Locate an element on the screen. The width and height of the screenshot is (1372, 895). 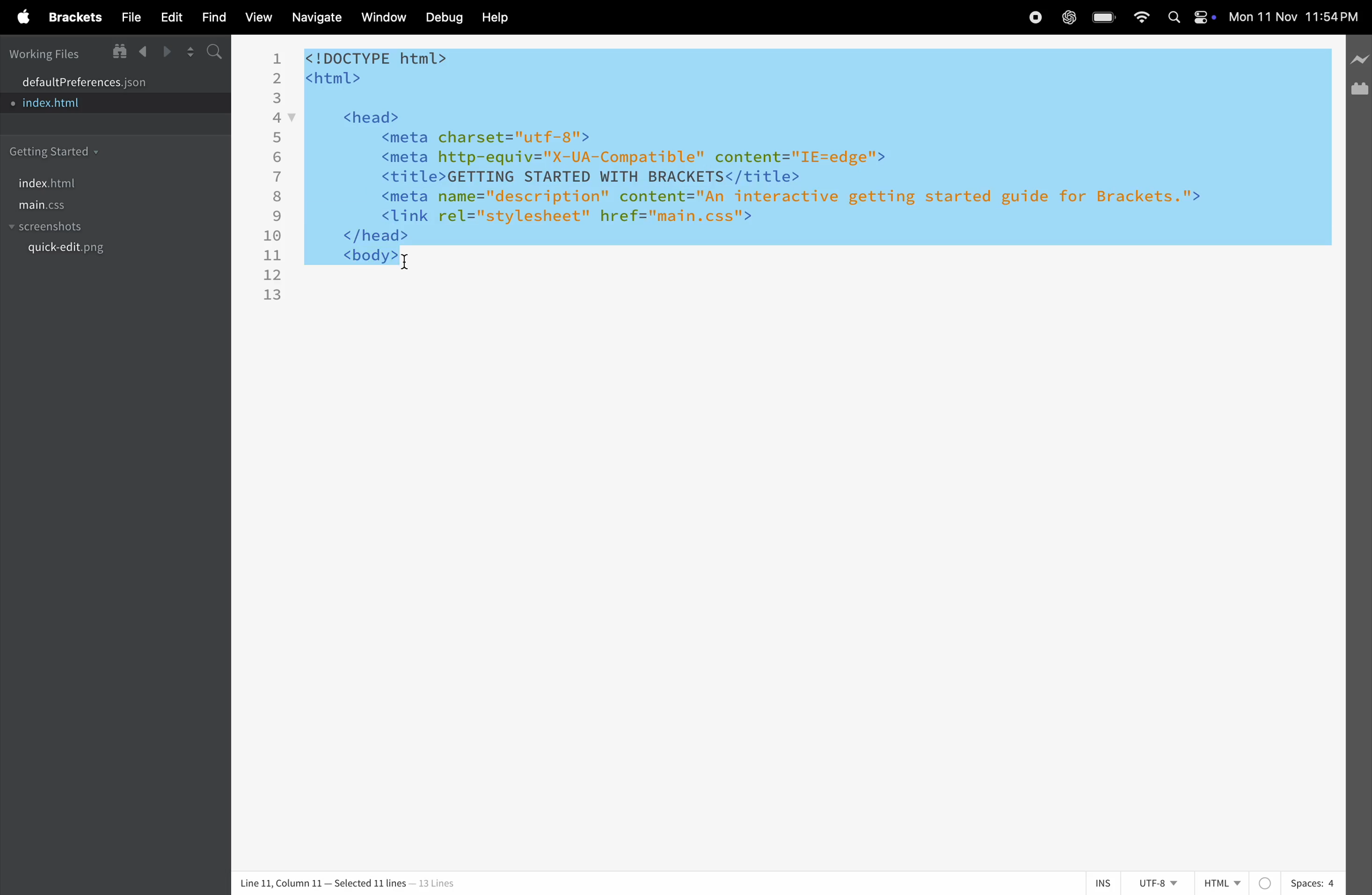
utf -8 is located at coordinates (1162, 883).